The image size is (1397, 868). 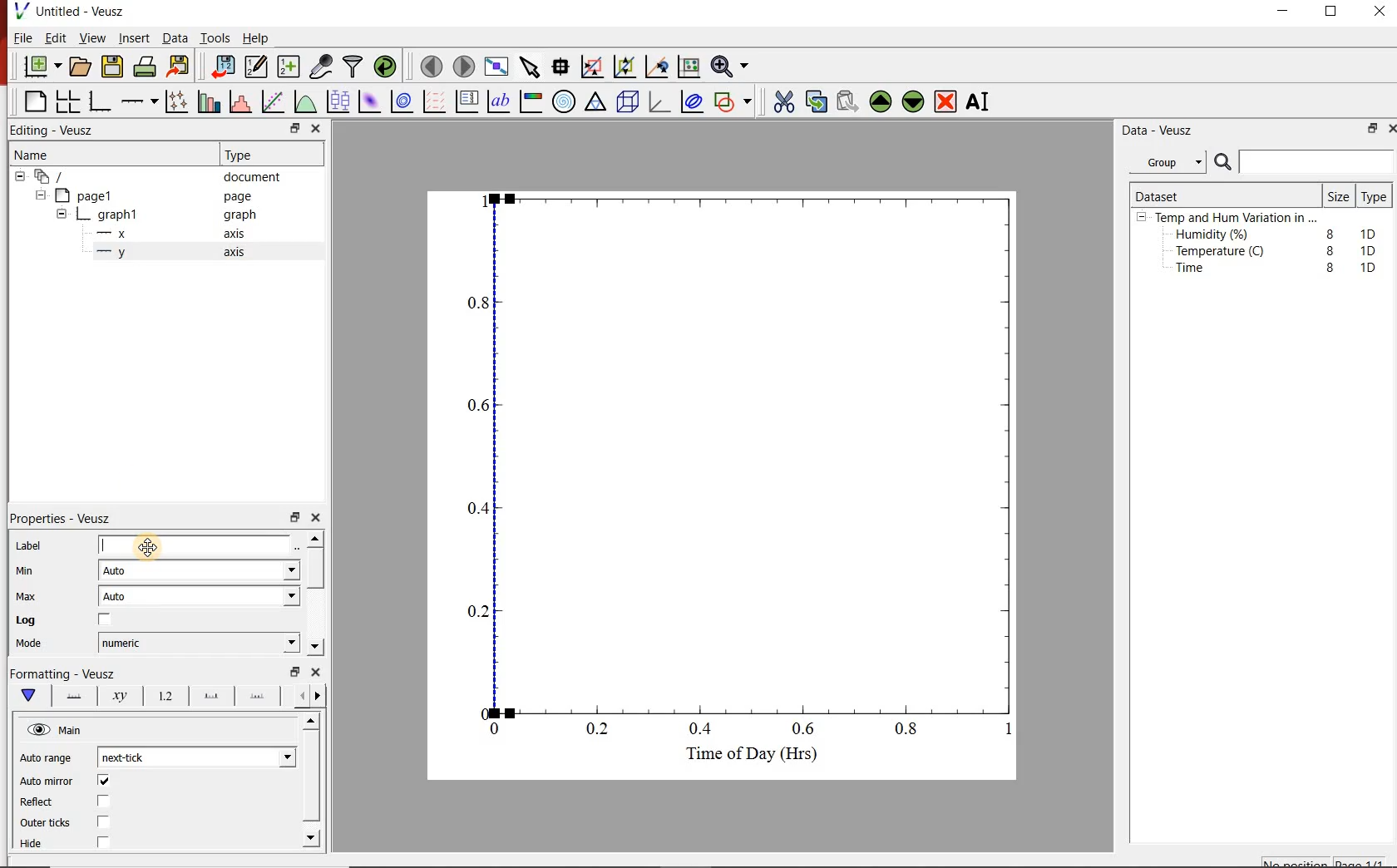 What do you see at coordinates (148, 544) in the screenshot?
I see `Label` at bounding box center [148, 544].